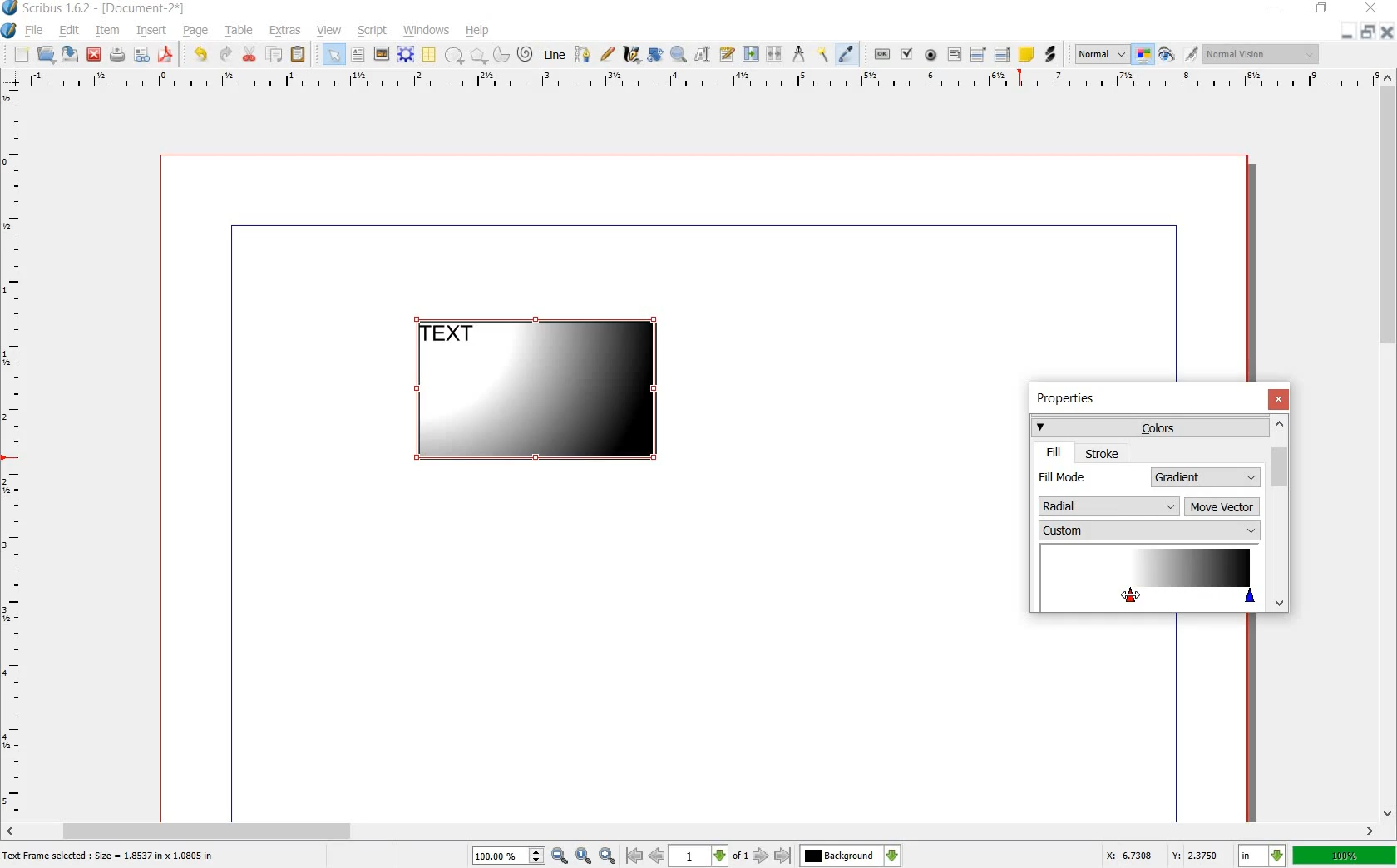 This screenshot has height=868, width=1397. I want to click on minimize, so click(1348, 33).